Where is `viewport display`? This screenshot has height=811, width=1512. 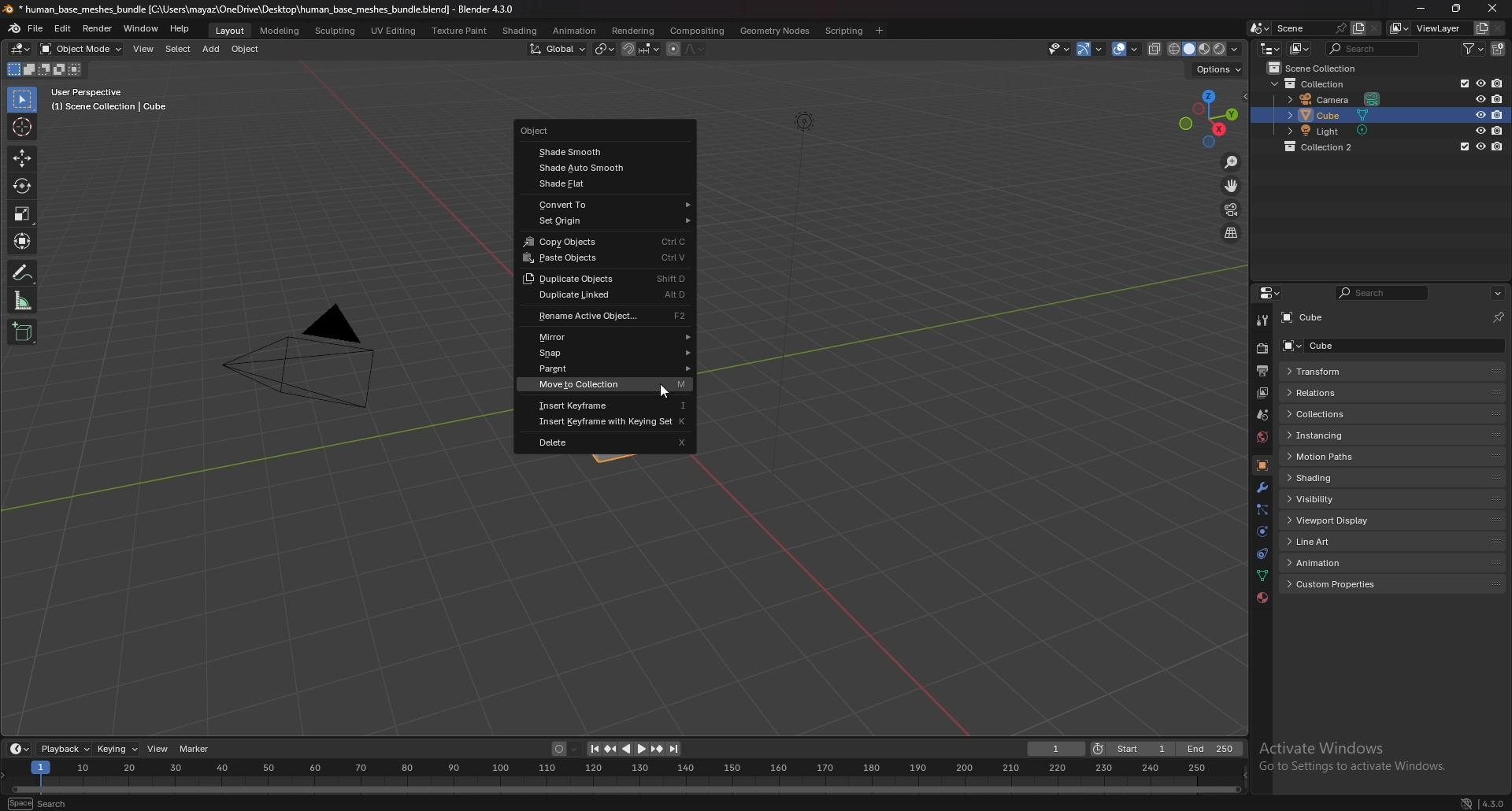 viewport display is located at coordinates (1343, 520).